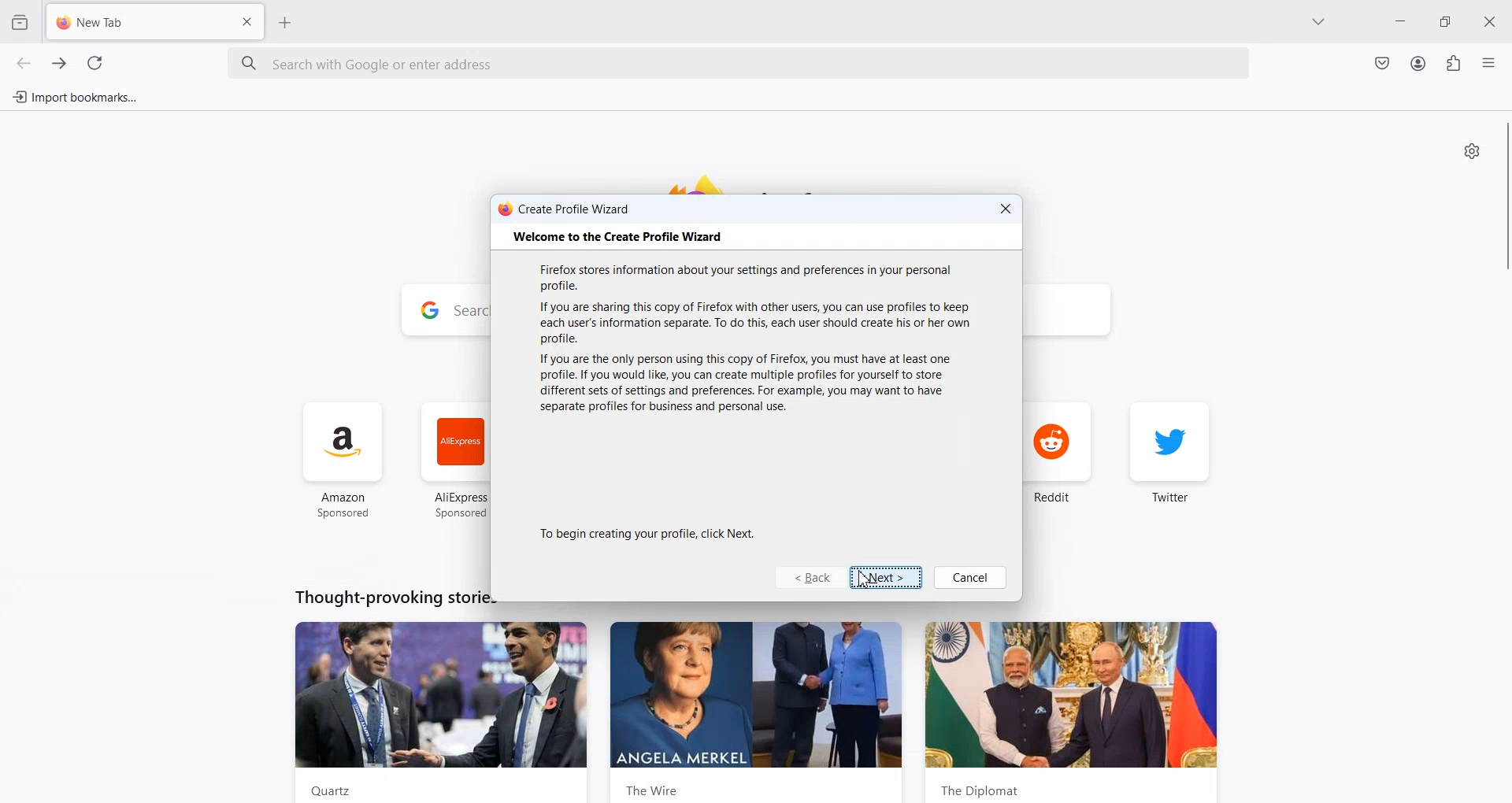  Describe the element at coordinates (1164, 451) in the screenshot. I see `twitter` at that location.